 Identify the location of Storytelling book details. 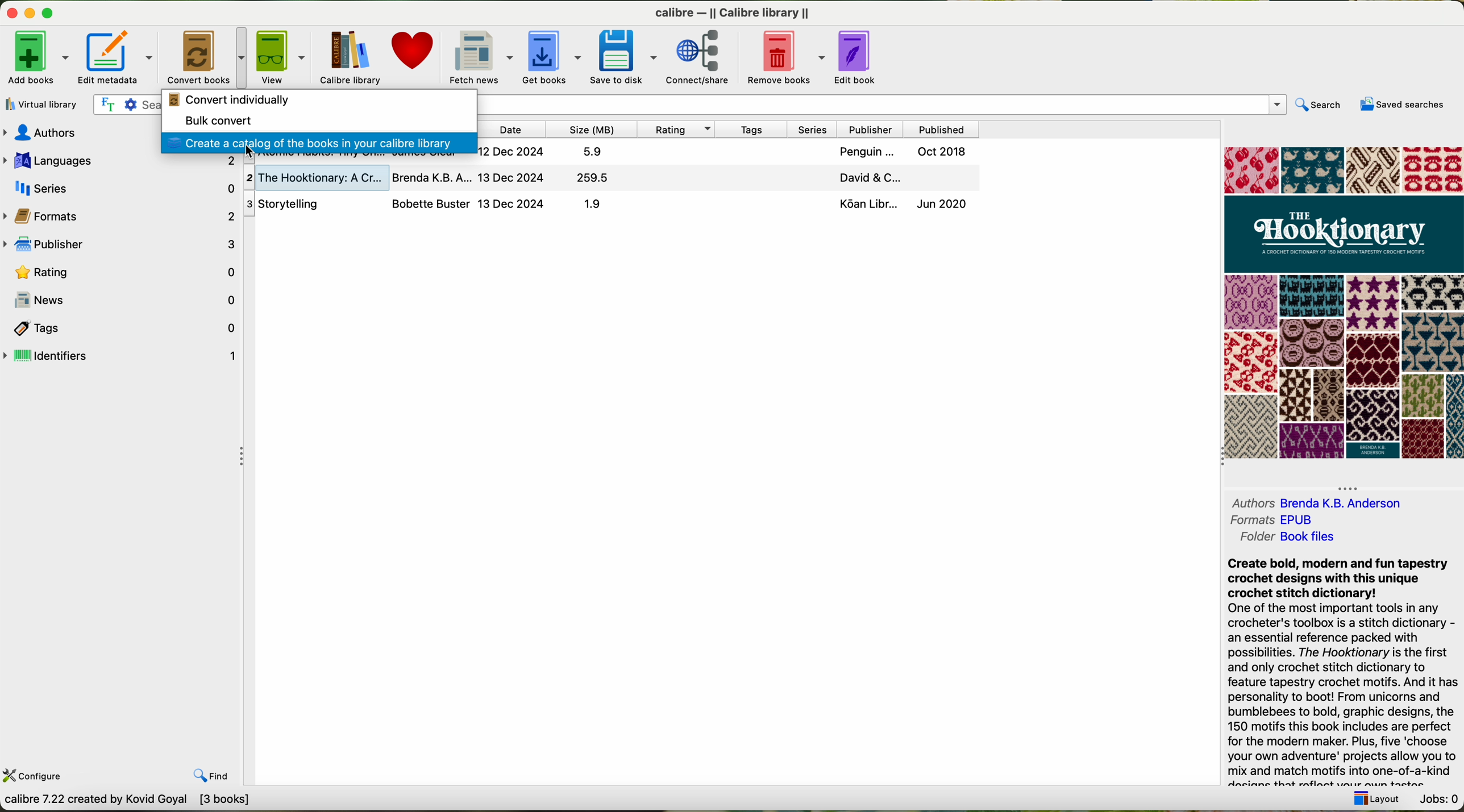
(606, 205).